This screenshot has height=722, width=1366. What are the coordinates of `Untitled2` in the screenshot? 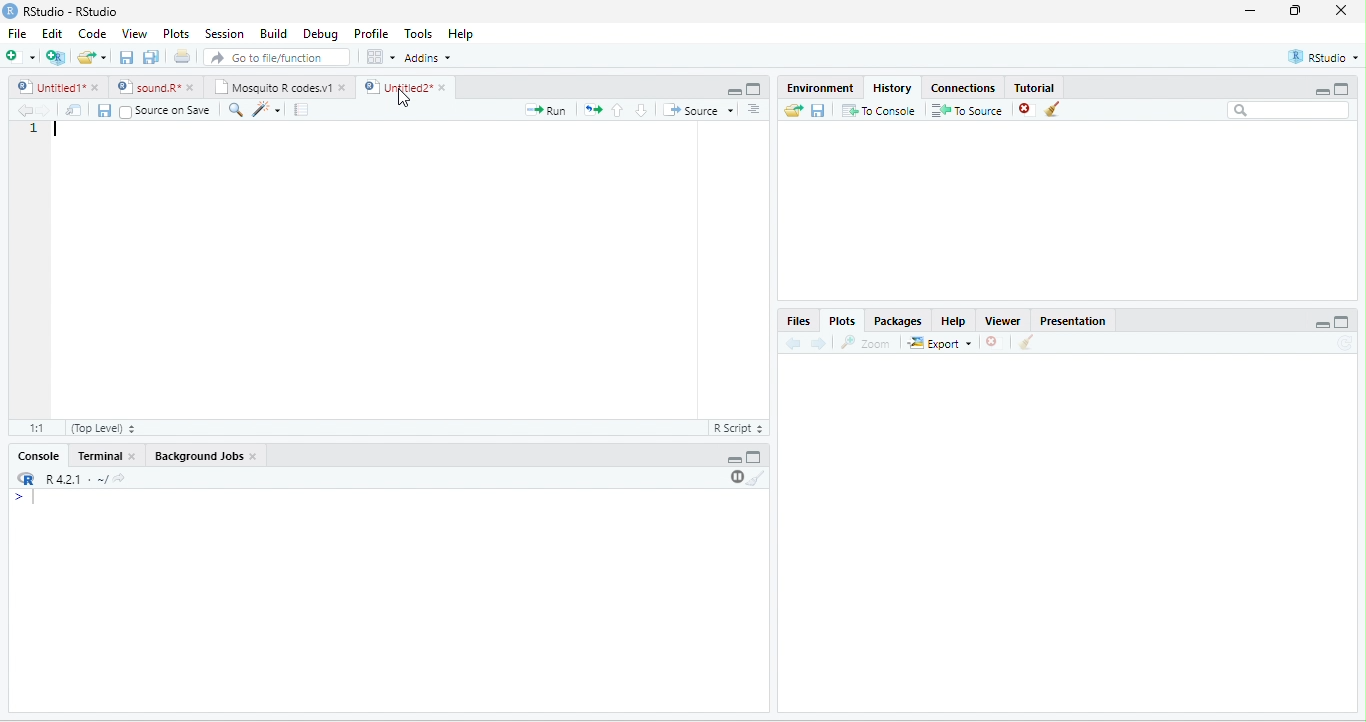 It's located at (396, 87).